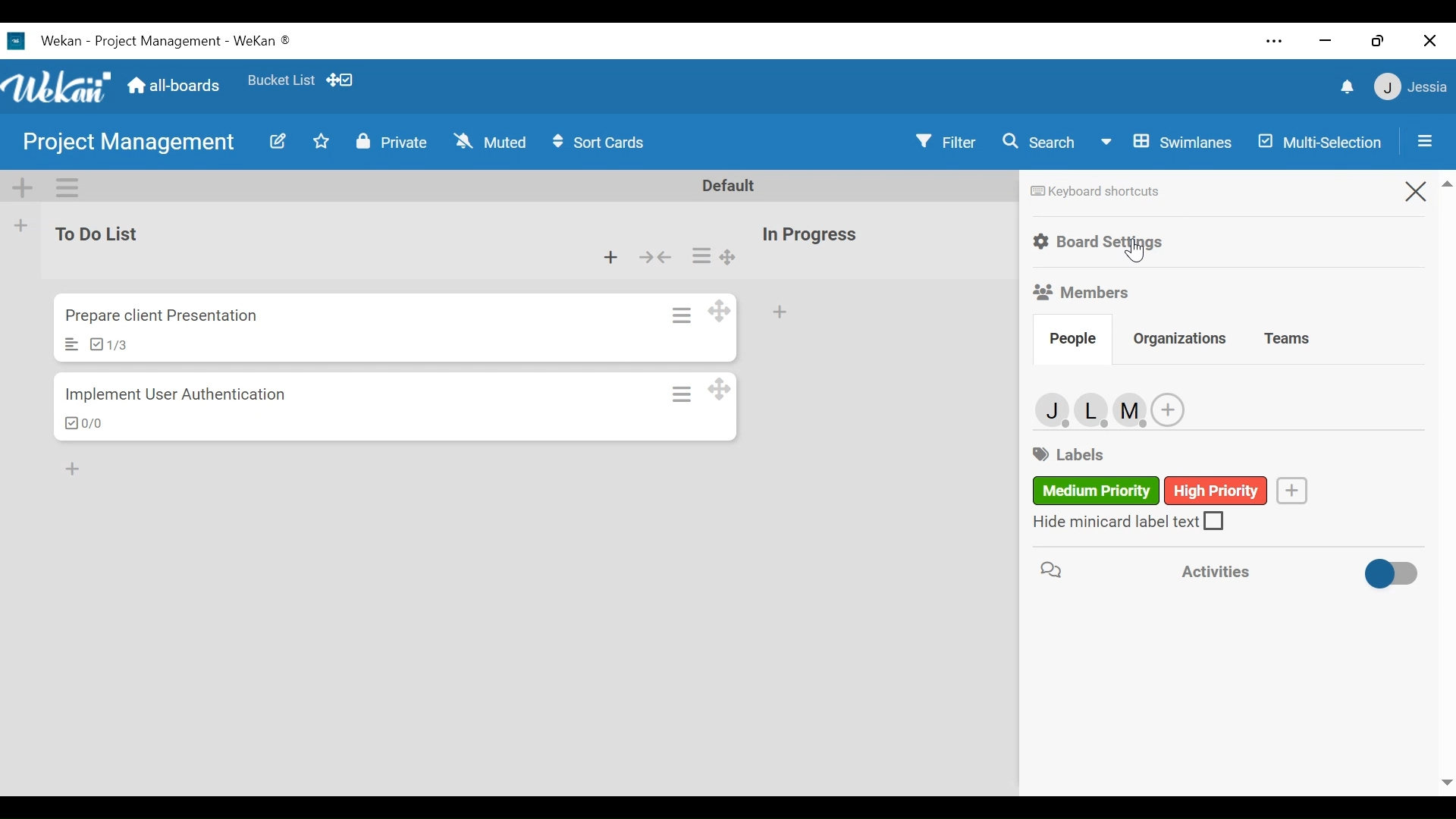 The width and height of the screenshot is (1456, 819). Describe the element at coordinates (1319, 142) in the screenshot. I see `Multi-selection` at that location.